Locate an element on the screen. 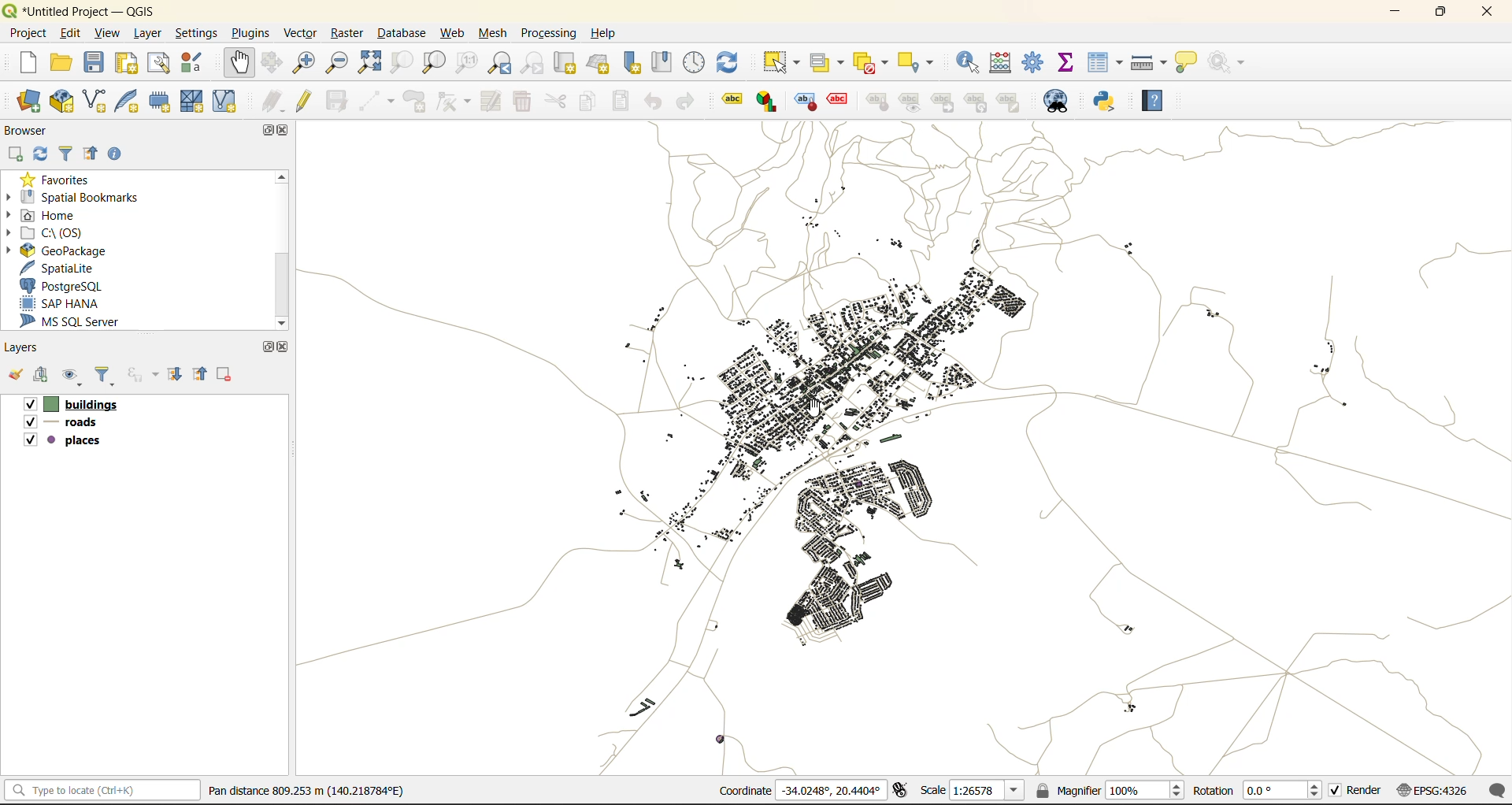  processing is located at coordinates (548, 34).